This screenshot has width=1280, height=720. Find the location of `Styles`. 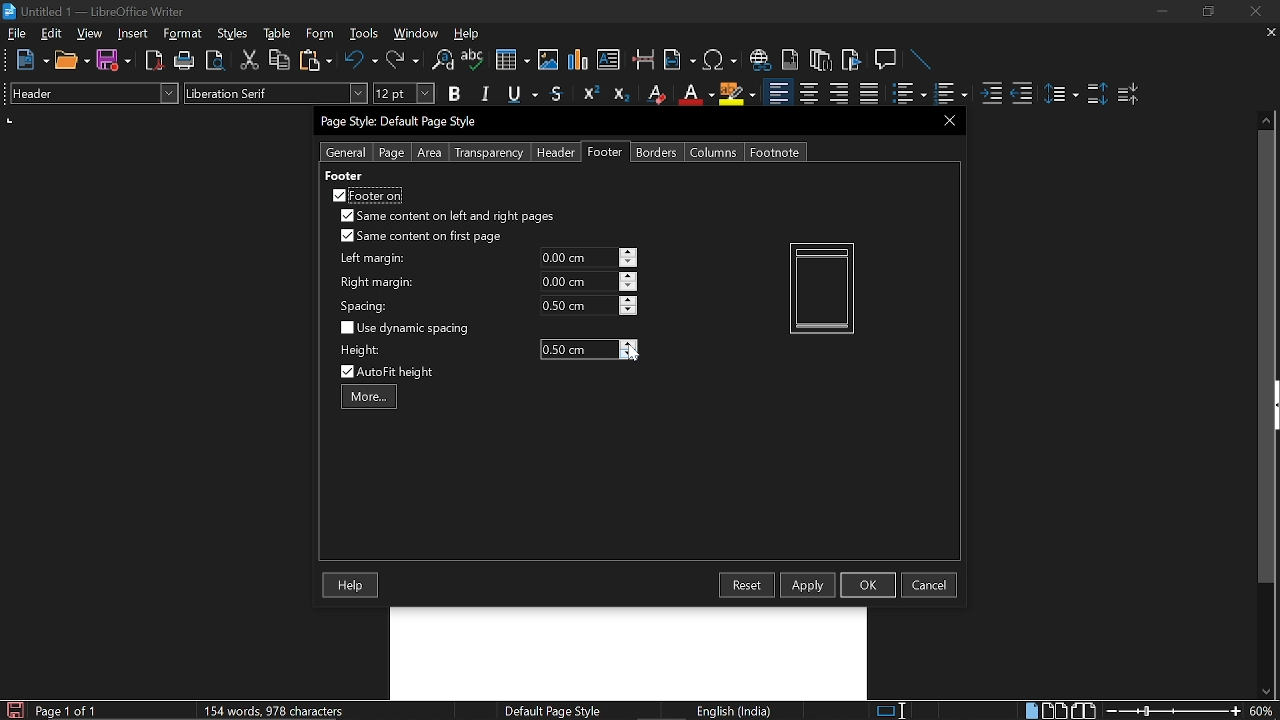

Styles is located at coordinates (233, 34).